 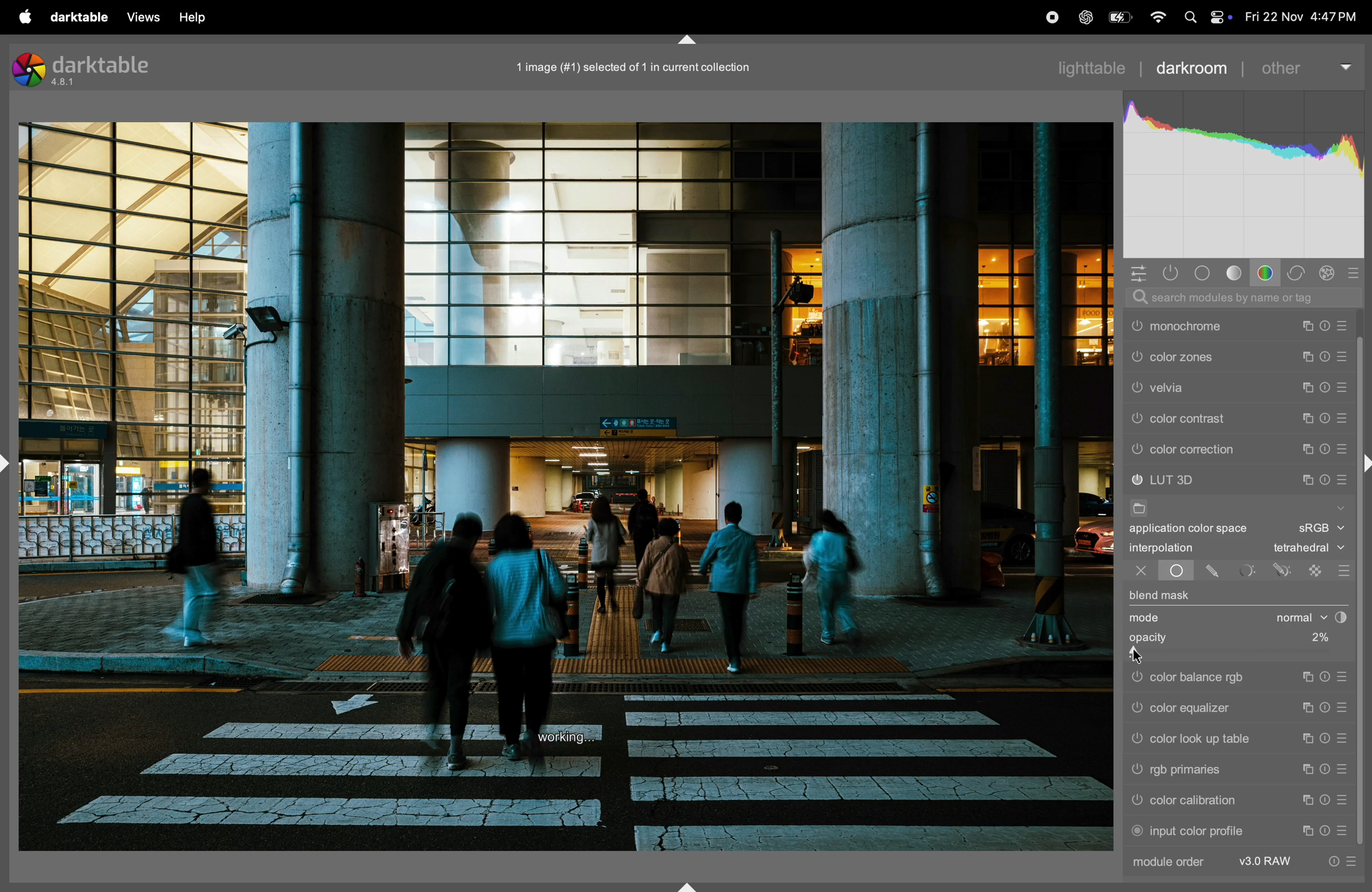 What do you see at coordinates (1139, 802) in the screenshot?
I see `color calibration switched off` at bounding box center [1139, 802].